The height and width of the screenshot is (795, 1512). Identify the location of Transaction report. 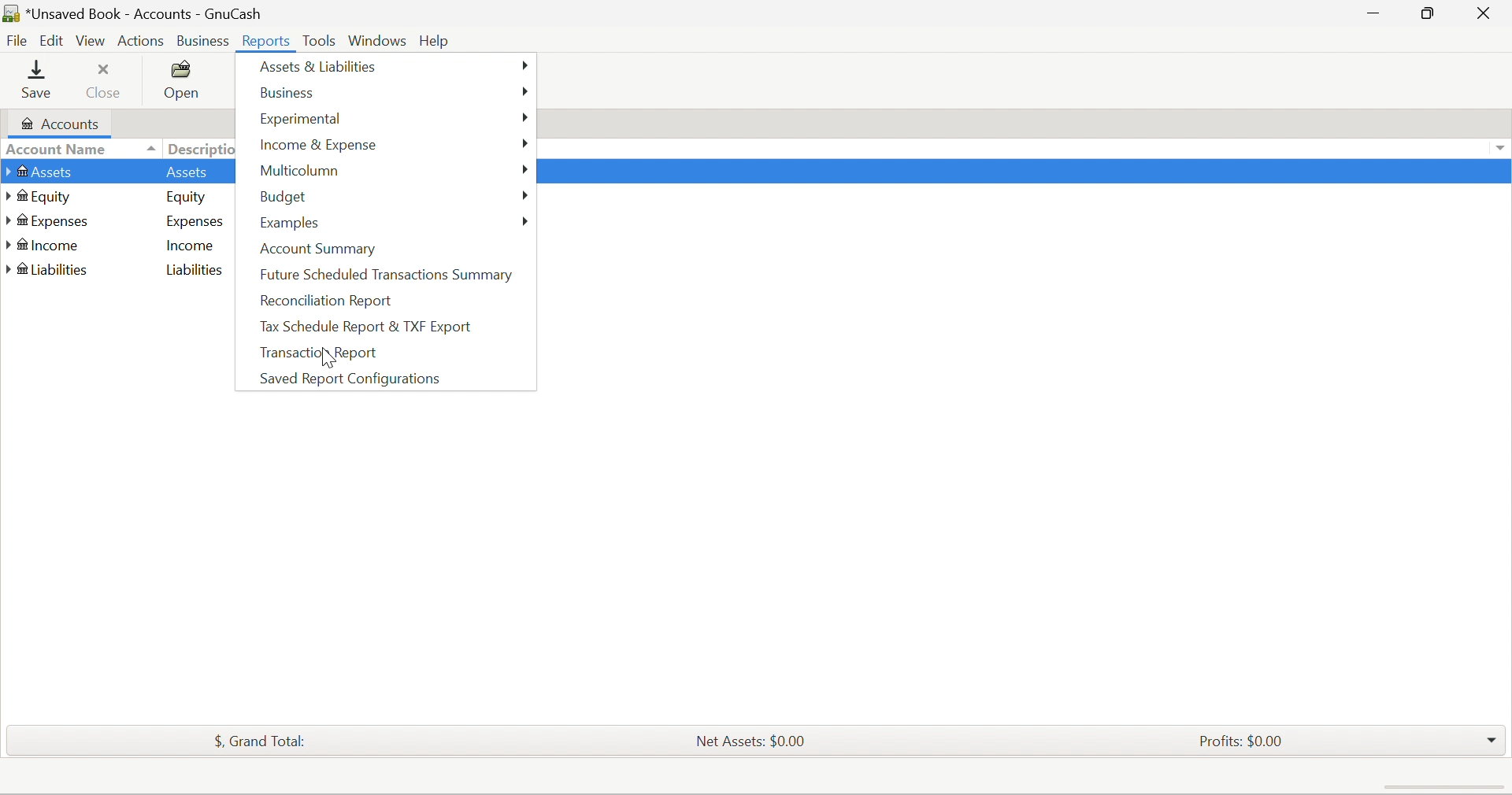
(322, 353).